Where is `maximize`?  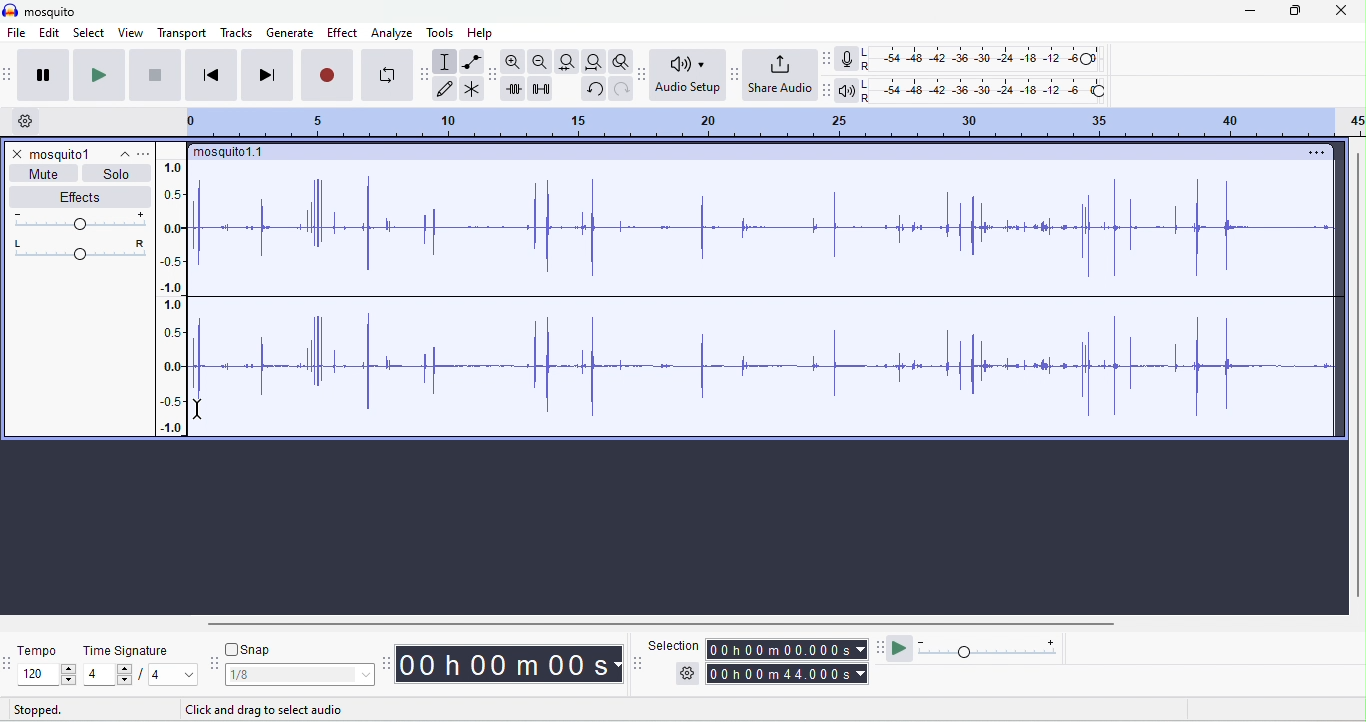 maximize is located at coordinates (1294, 11).